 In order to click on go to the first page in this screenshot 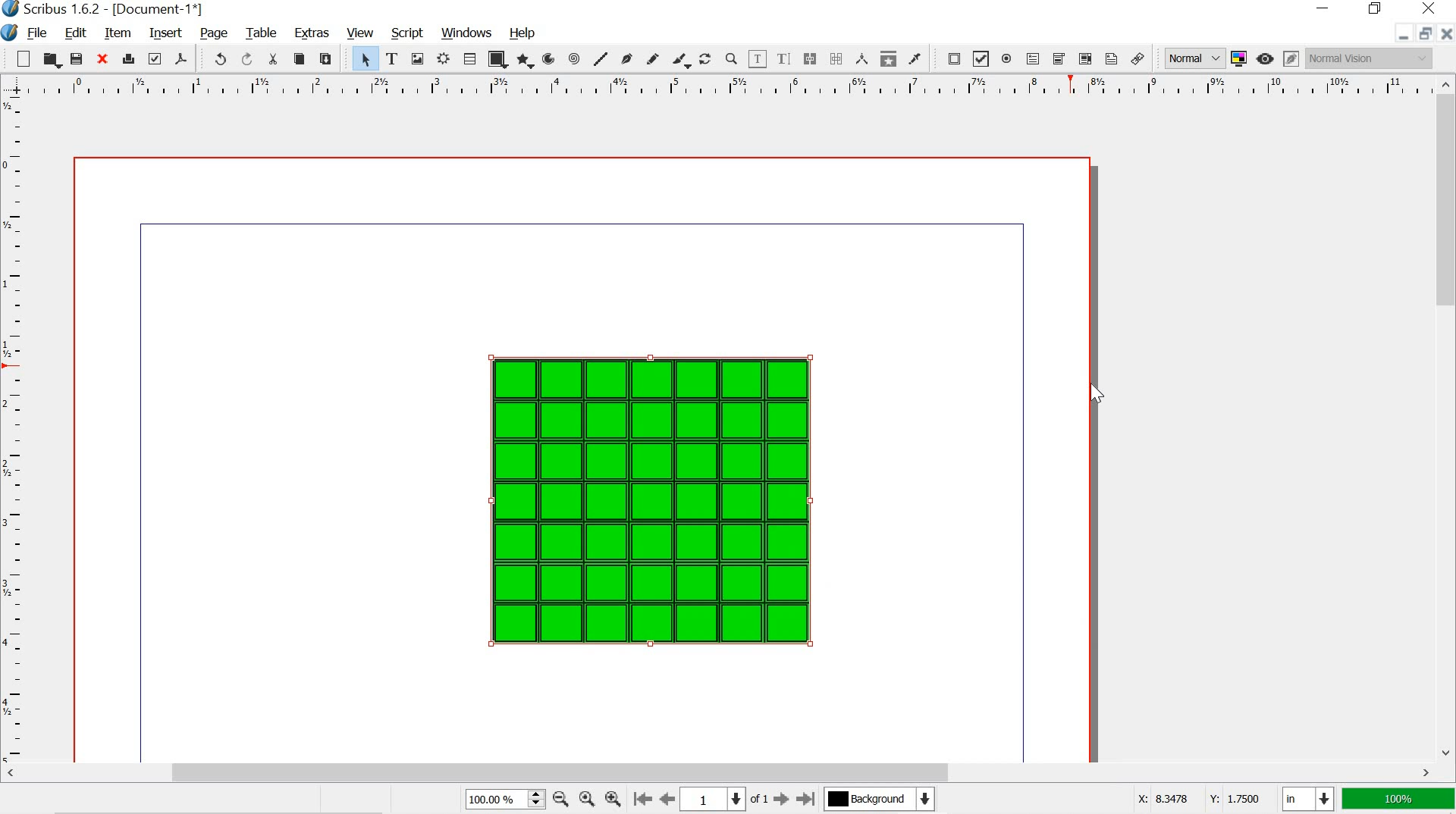, I will do `click(645, 800)`.